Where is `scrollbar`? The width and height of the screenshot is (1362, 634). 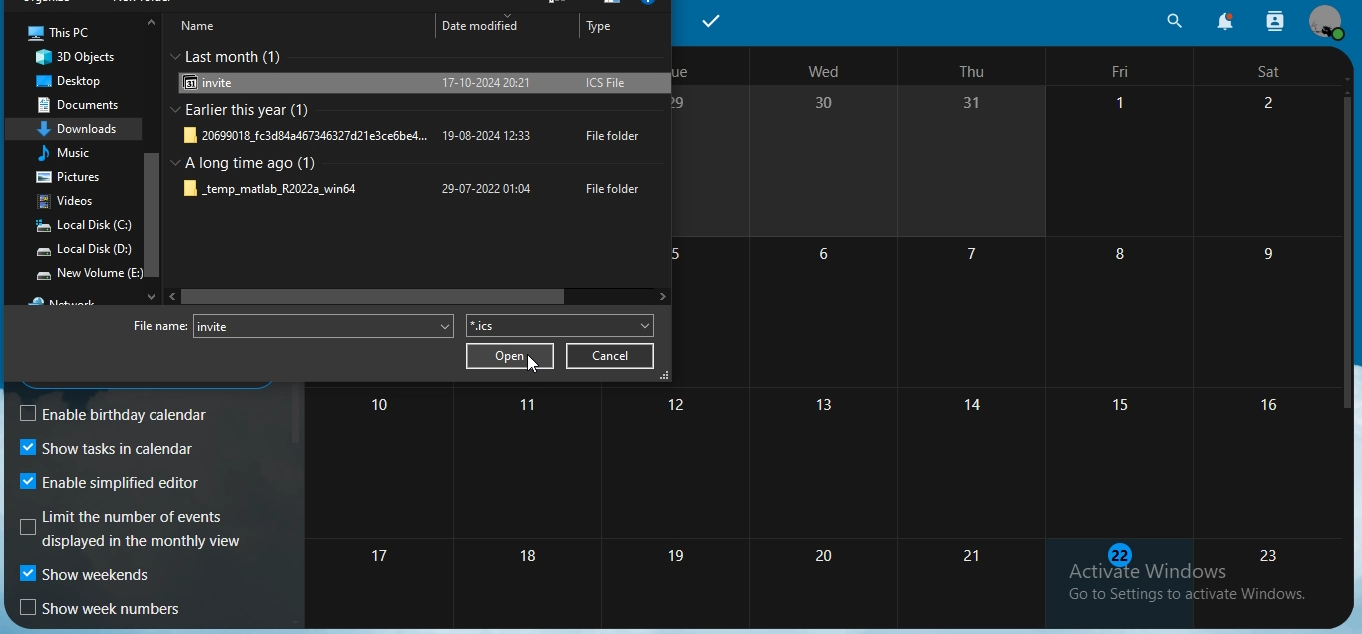 scrollbar is located at coordinates (418, 295).